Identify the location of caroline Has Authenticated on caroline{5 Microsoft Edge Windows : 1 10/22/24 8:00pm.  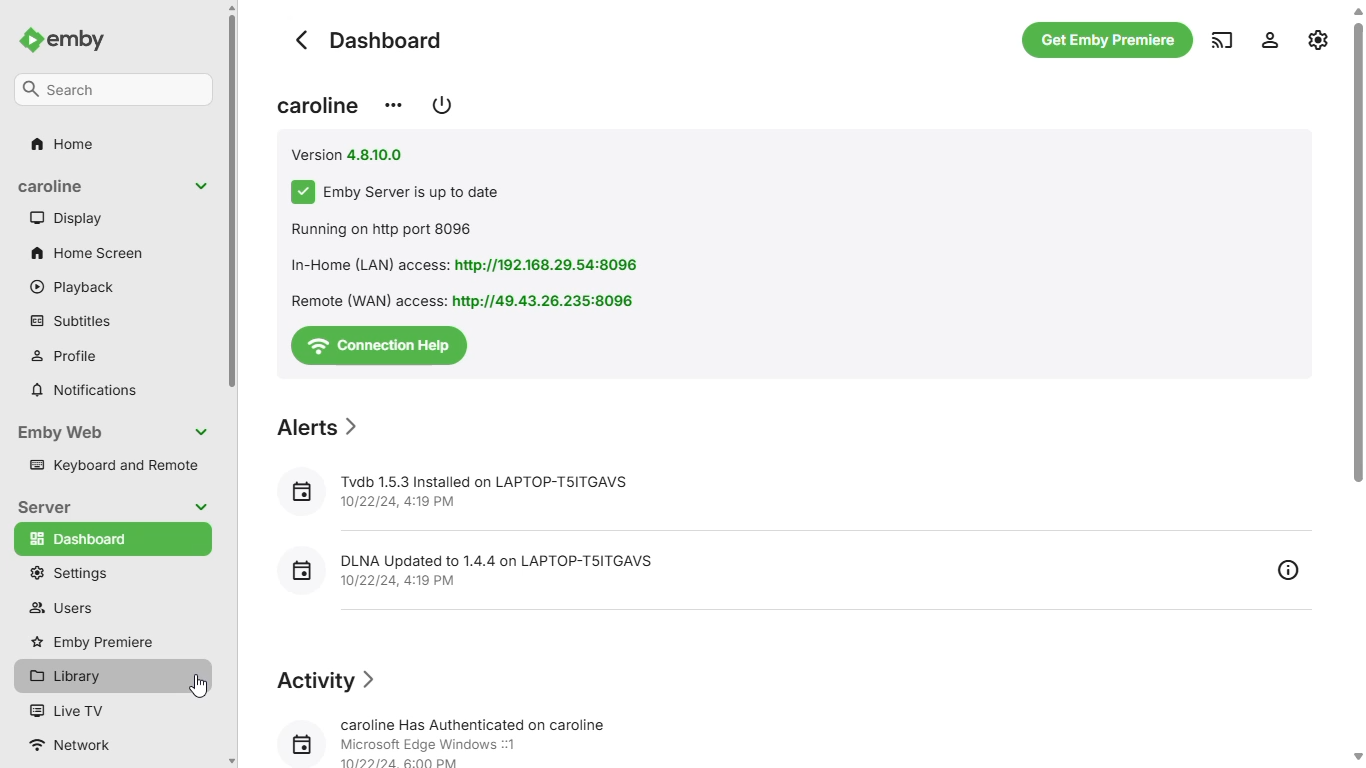
(453, 737).